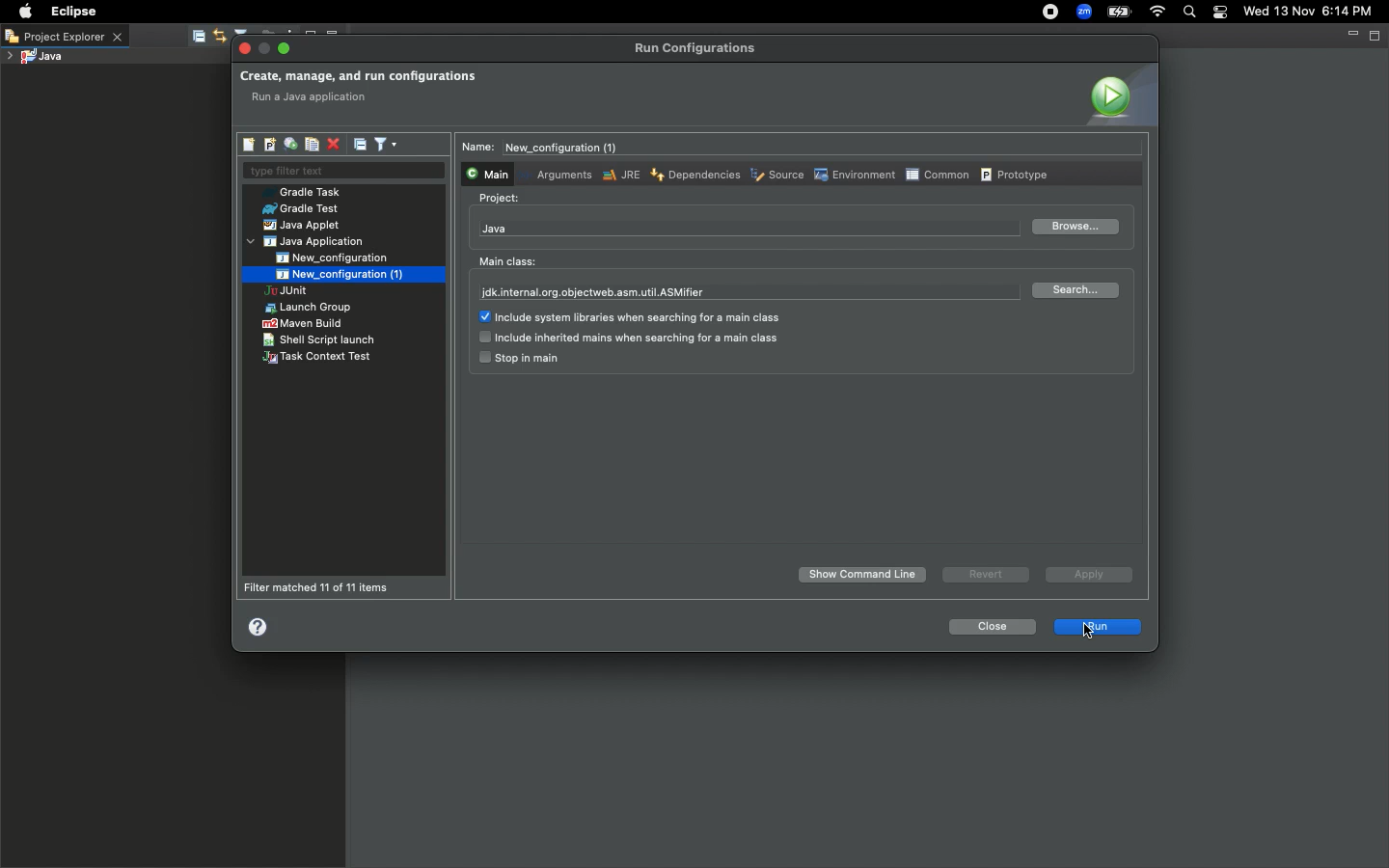 This screenshot has height=868, width=1389. What do you see at coordinates (308, 242) in the screenshot?
I see `Java application` at bounding box center [308, 242].